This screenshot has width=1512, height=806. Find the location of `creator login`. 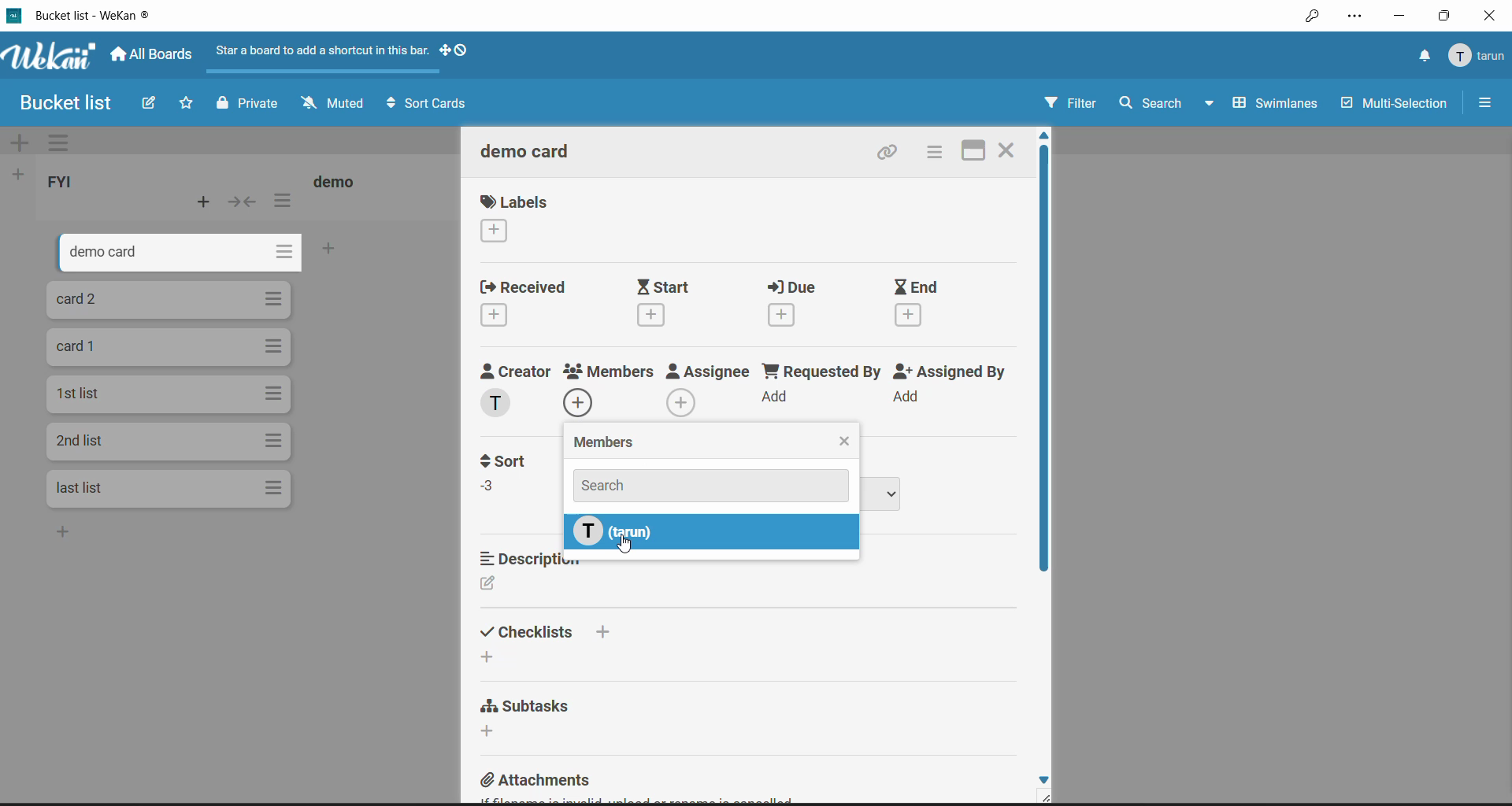

creator login is located at coordinates (499, 402).